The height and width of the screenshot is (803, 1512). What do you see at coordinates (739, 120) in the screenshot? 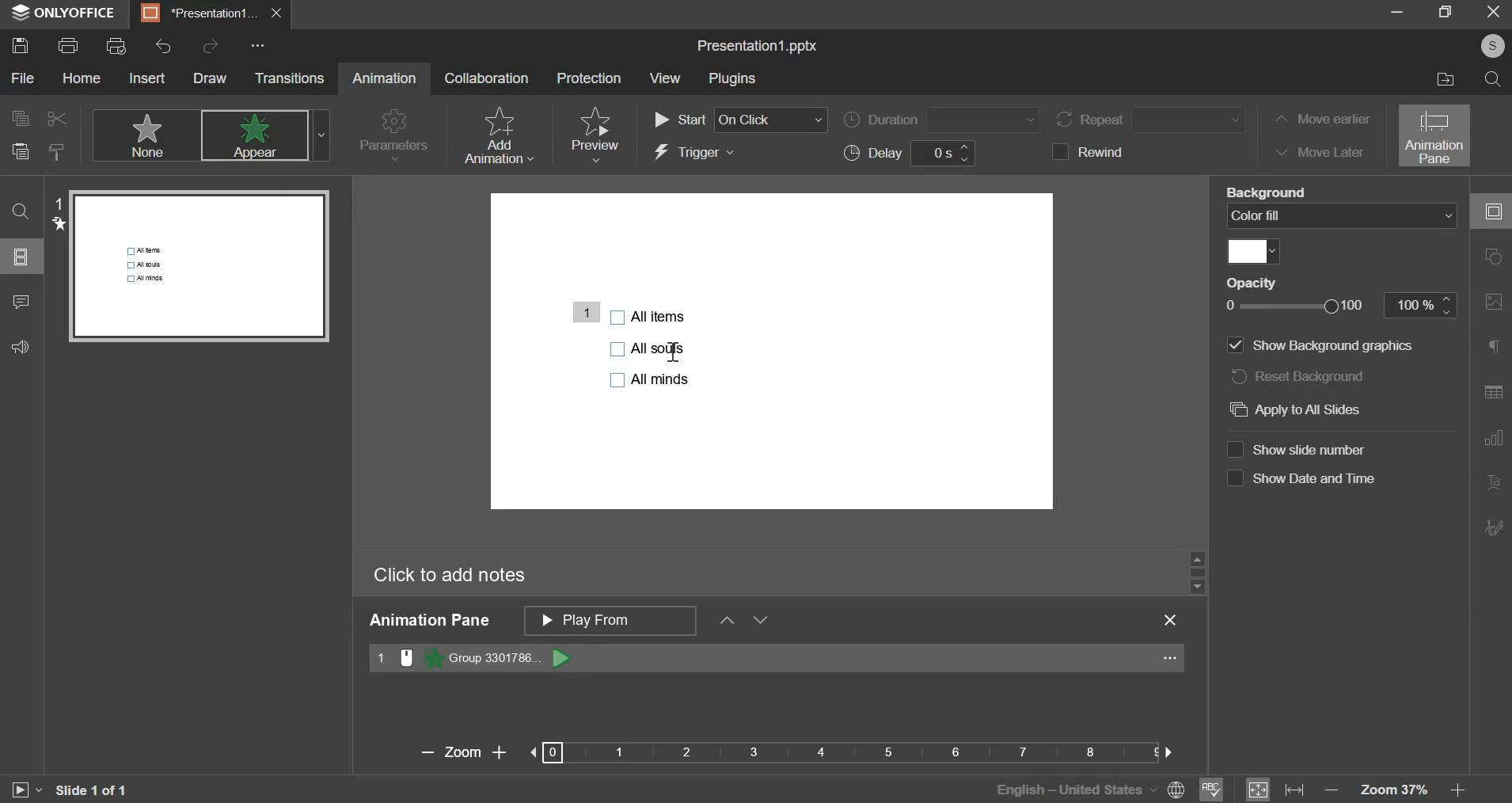
I see `start order` at bounding box center [739, 120].